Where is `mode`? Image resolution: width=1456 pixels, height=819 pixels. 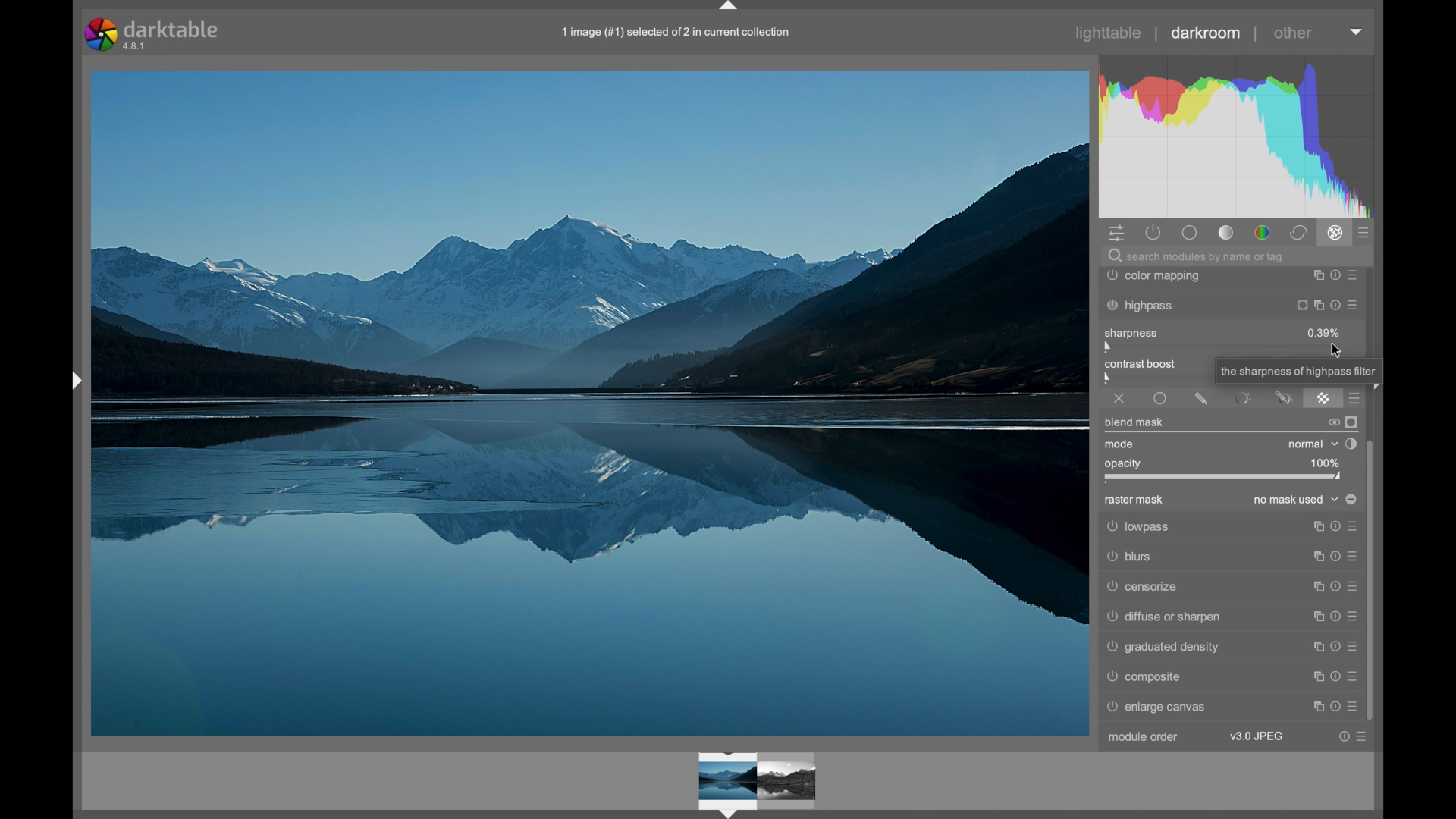
mode is located at coordinates (1120, 444).